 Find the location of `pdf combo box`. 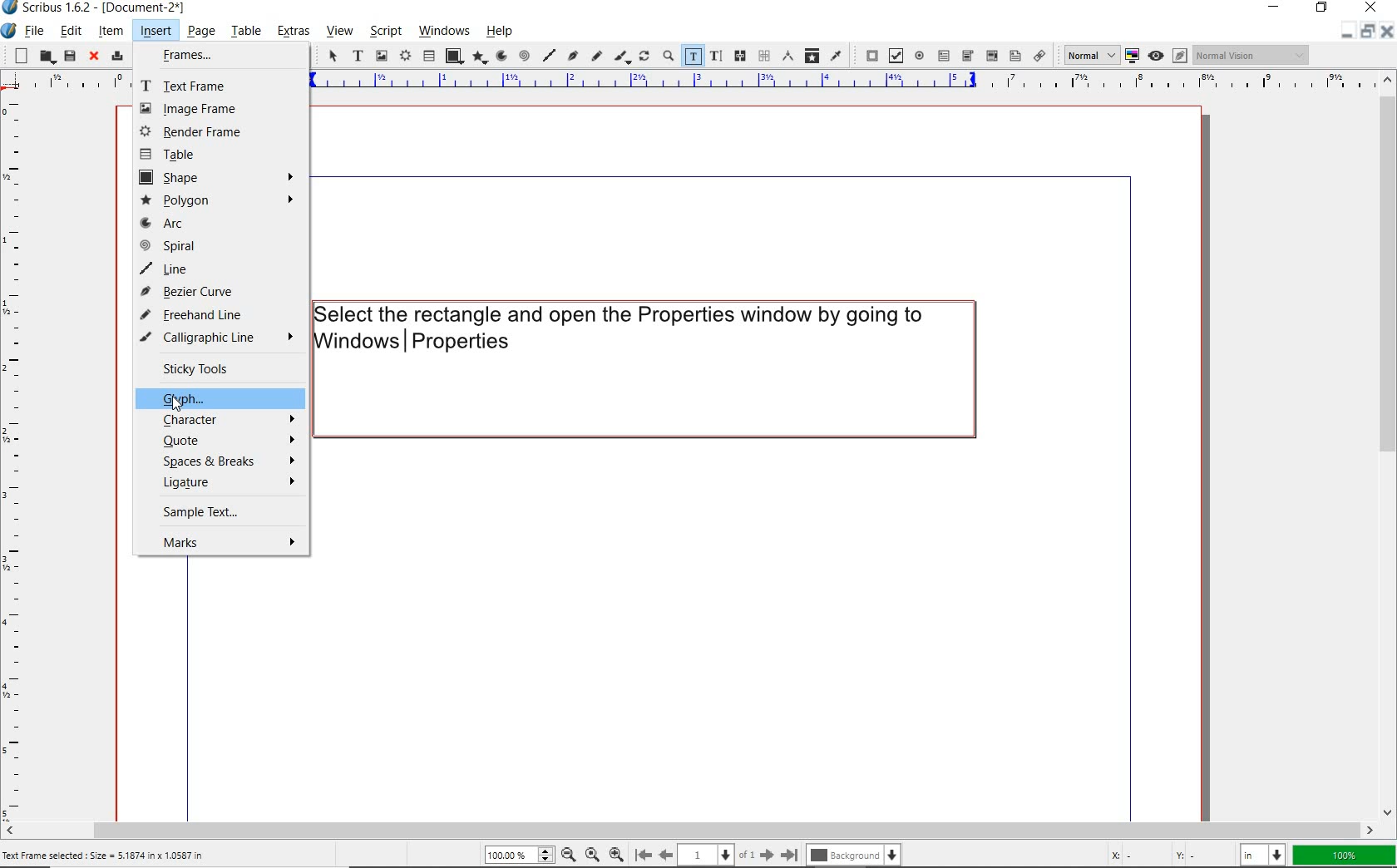

pdf combo box is located at coordinates (968, 55).